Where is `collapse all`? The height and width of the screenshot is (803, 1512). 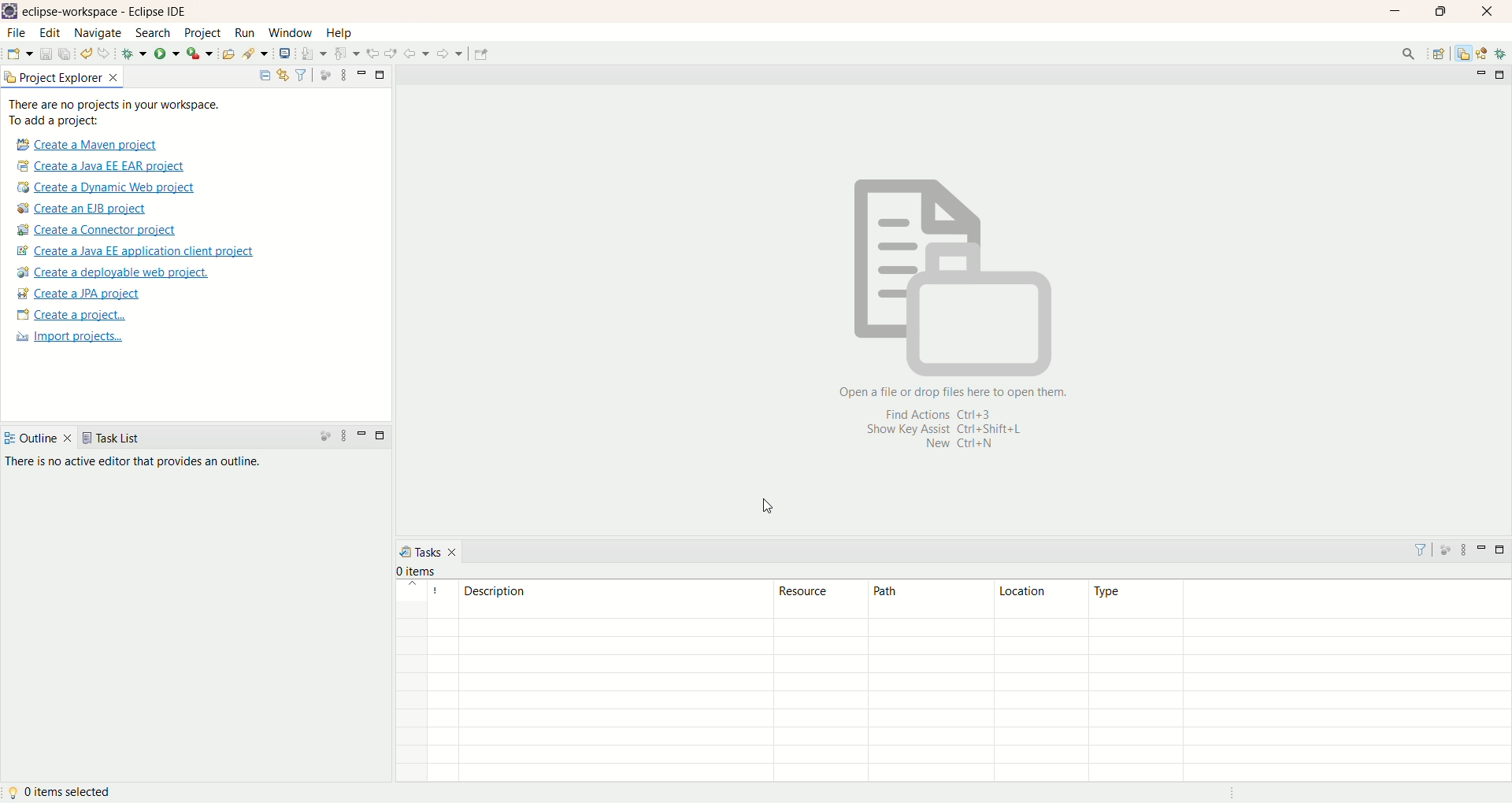
collapse all is located at coordinates (262, 76).